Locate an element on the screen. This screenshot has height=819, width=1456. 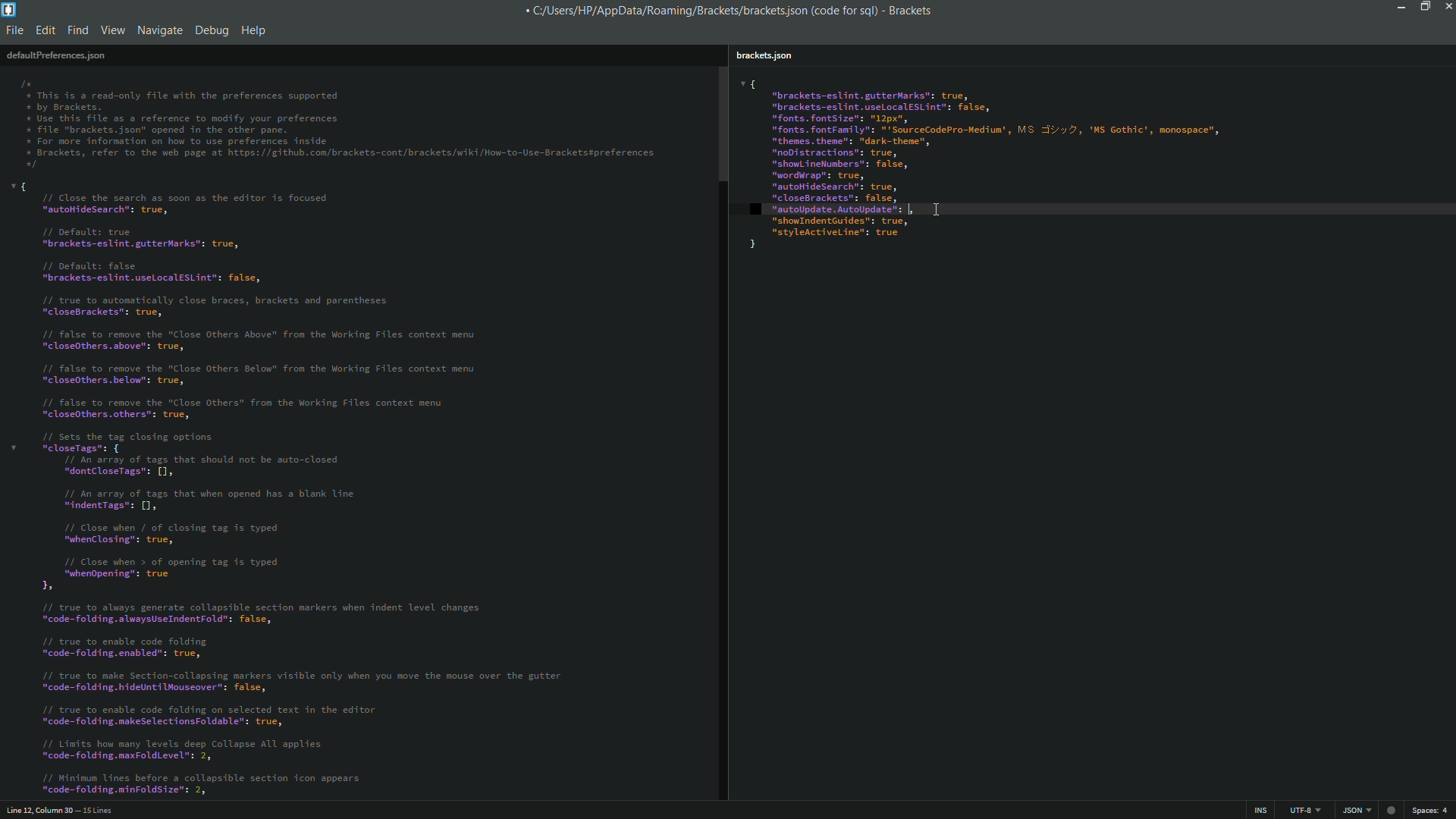
find menu is located at coordinates (79, 30).